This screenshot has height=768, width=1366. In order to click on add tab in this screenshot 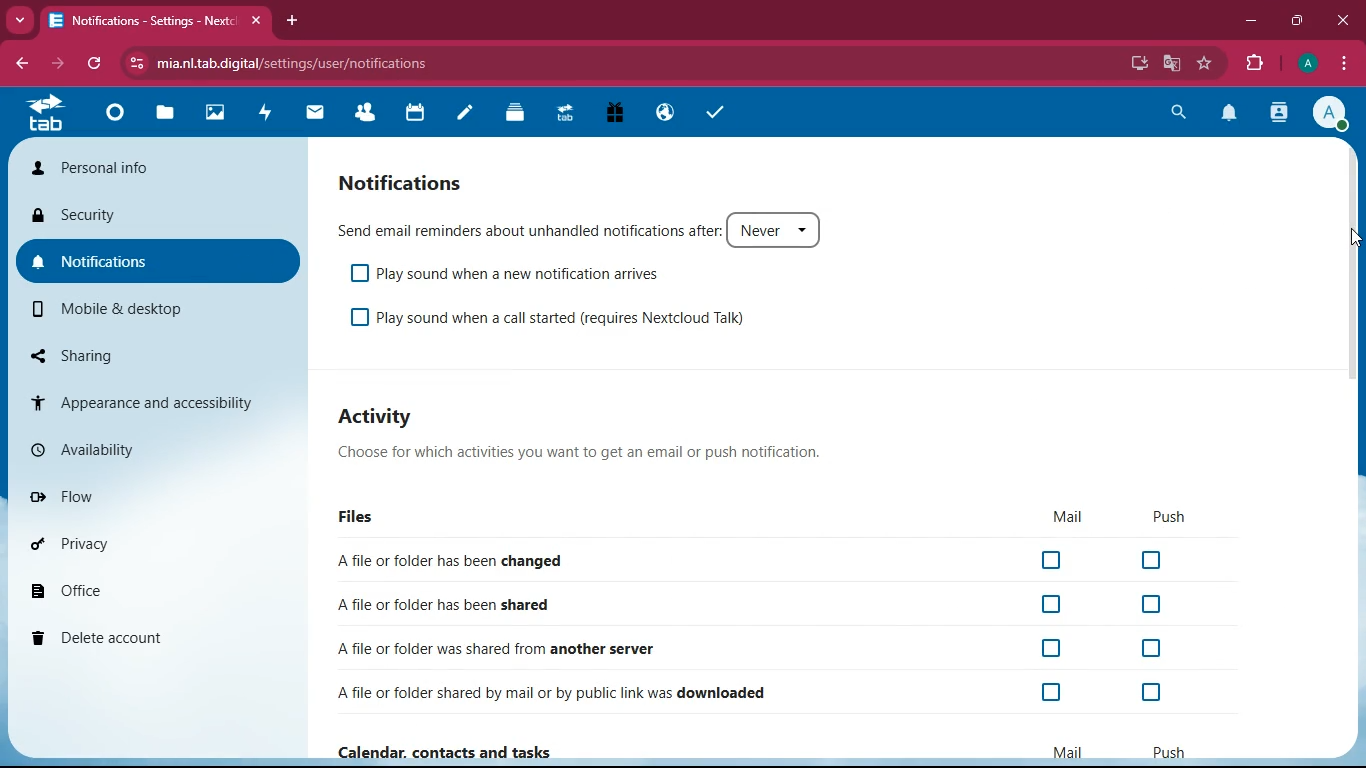, I will do `click(295, 22)`.